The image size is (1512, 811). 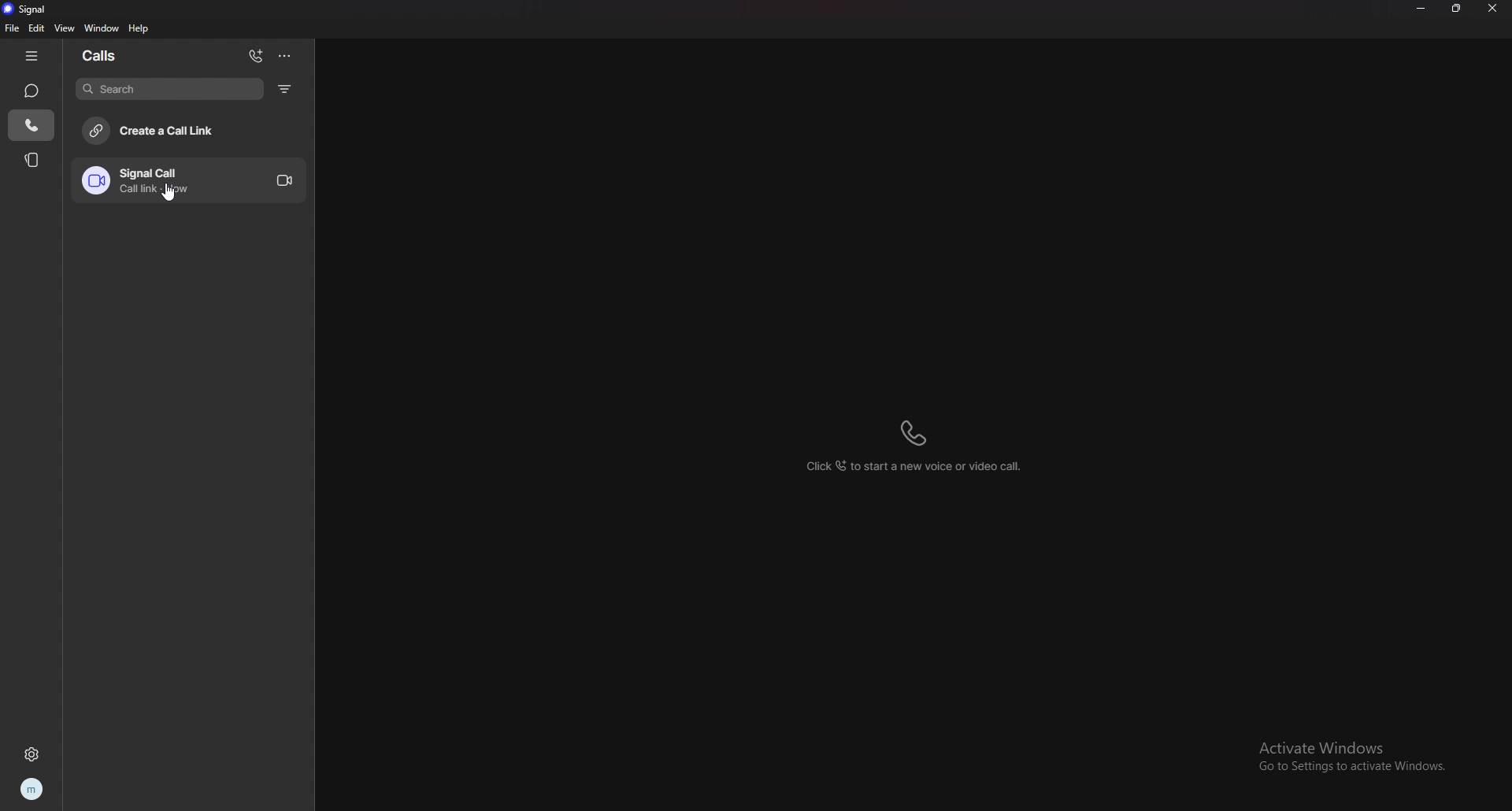 What do you see at coordinates (1421, 7) in the screenshot?
I see `minimize` at bounding box center [1421, 7].